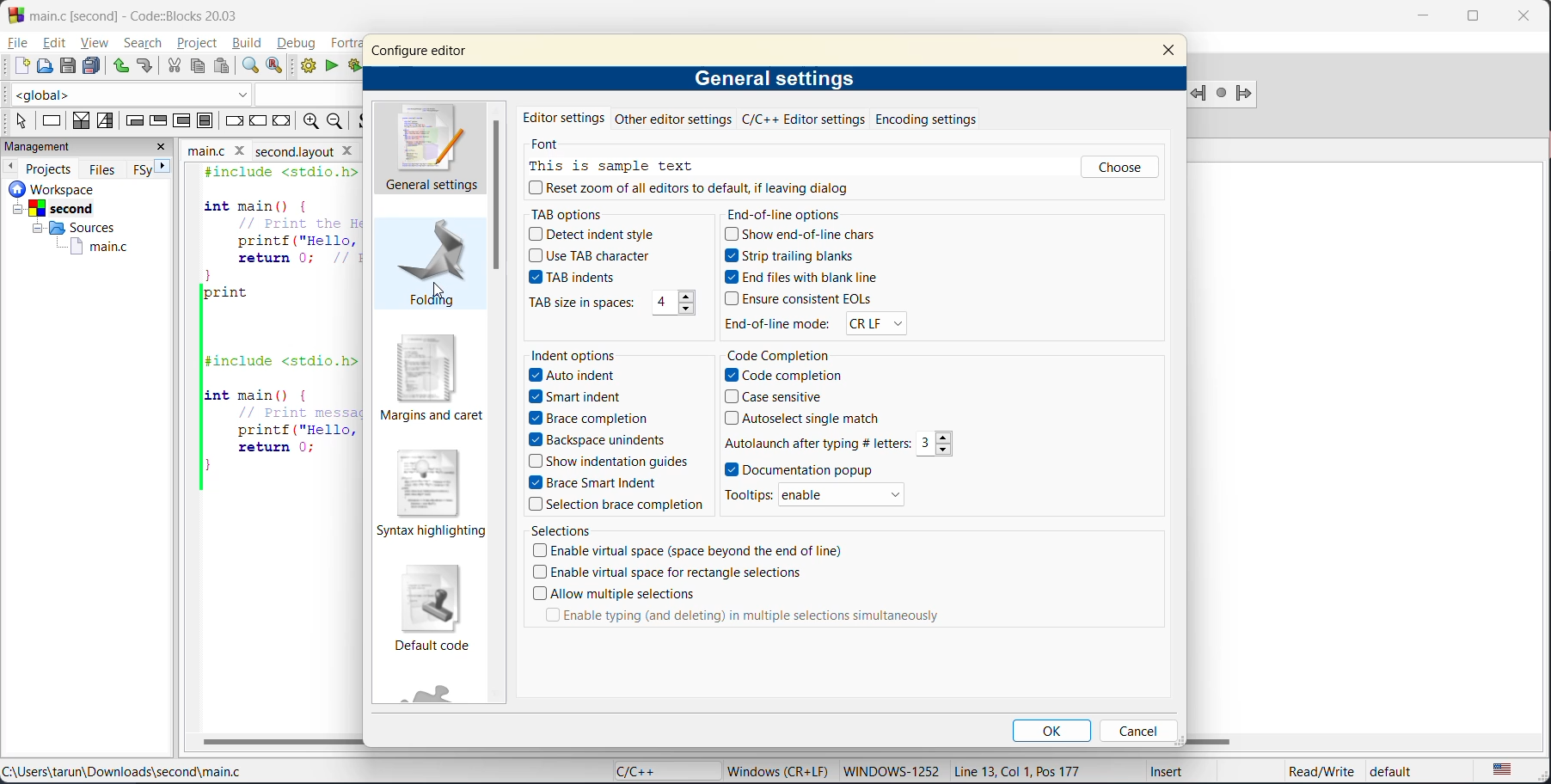 Image resolution: width=1551 pixels, height=784 pixels. I want to click on zoom in, so click(309, 122).